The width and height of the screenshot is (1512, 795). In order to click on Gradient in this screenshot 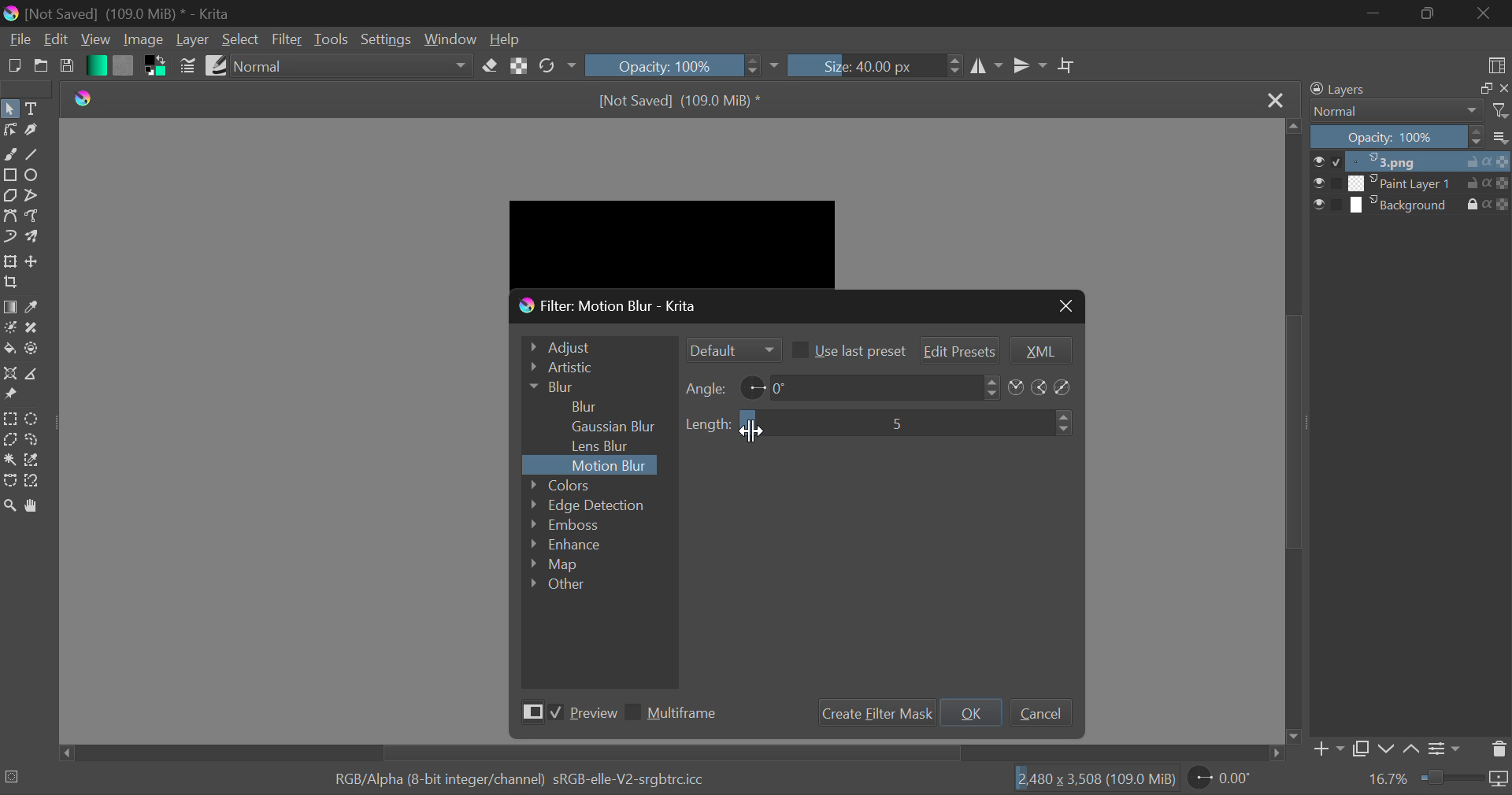, I will do `click(95, 65)`.